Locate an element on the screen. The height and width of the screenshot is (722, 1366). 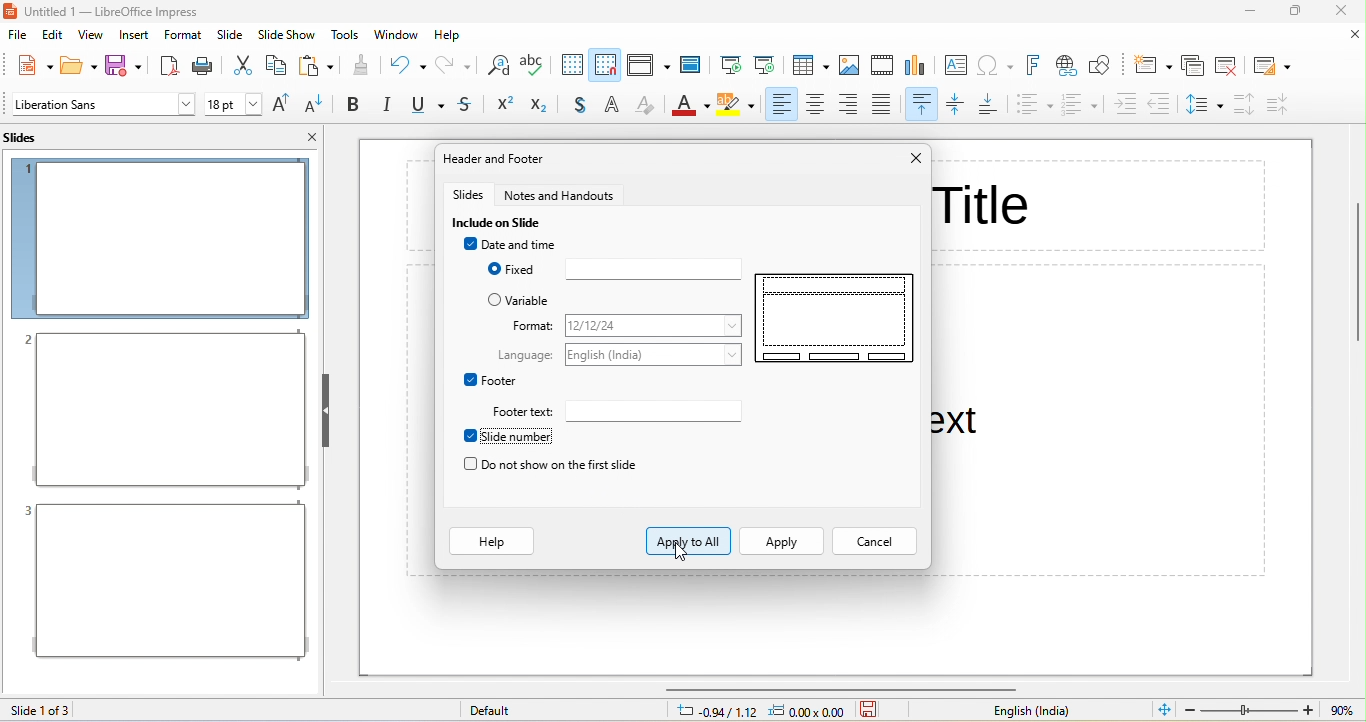
set line spacing is located at coordinates (1204, 107).